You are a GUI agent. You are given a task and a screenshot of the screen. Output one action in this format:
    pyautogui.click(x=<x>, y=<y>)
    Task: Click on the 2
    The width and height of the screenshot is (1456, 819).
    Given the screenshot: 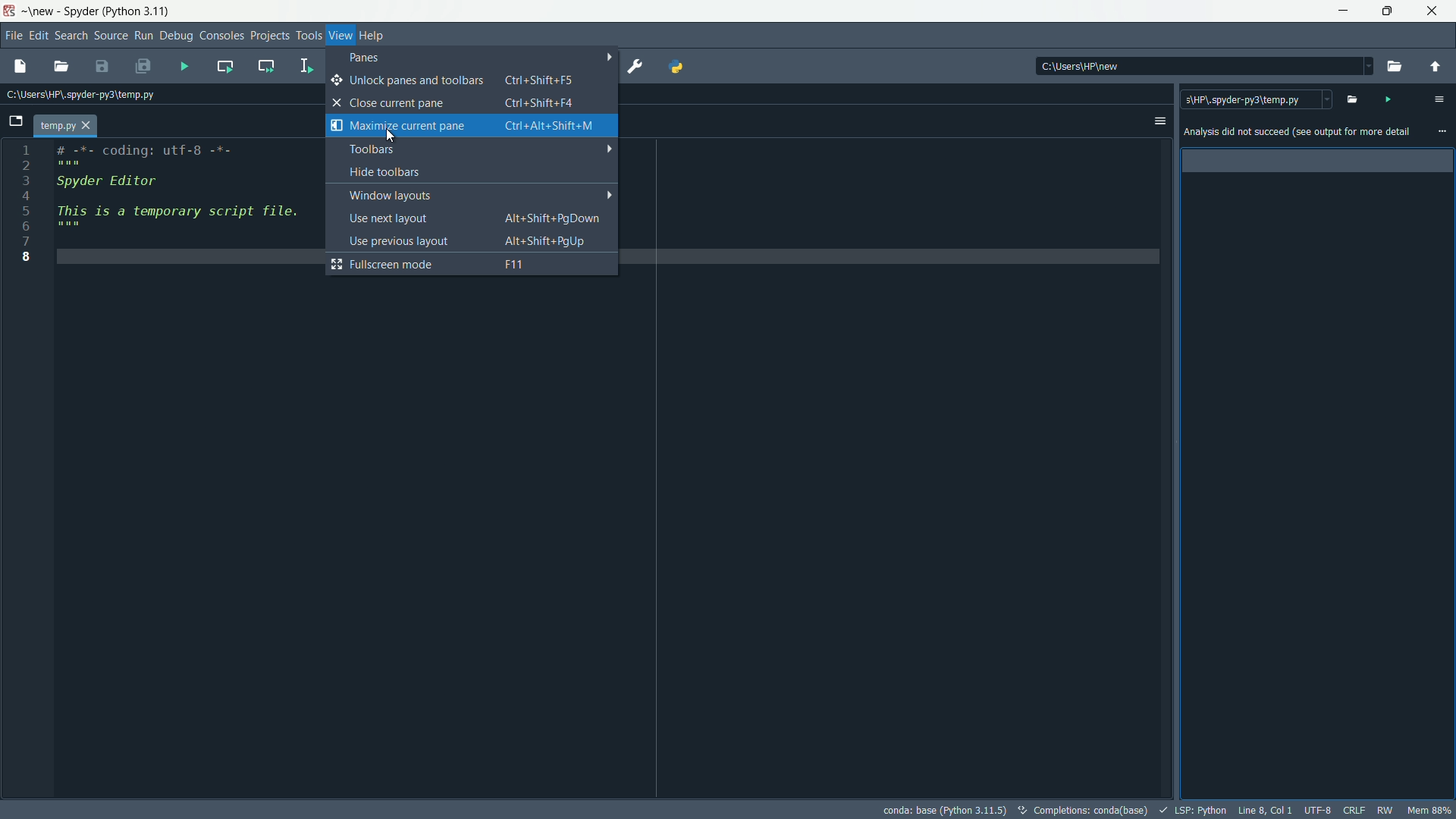 What is the action you would take?
    pyautogui.click(x=30, y=166)
    